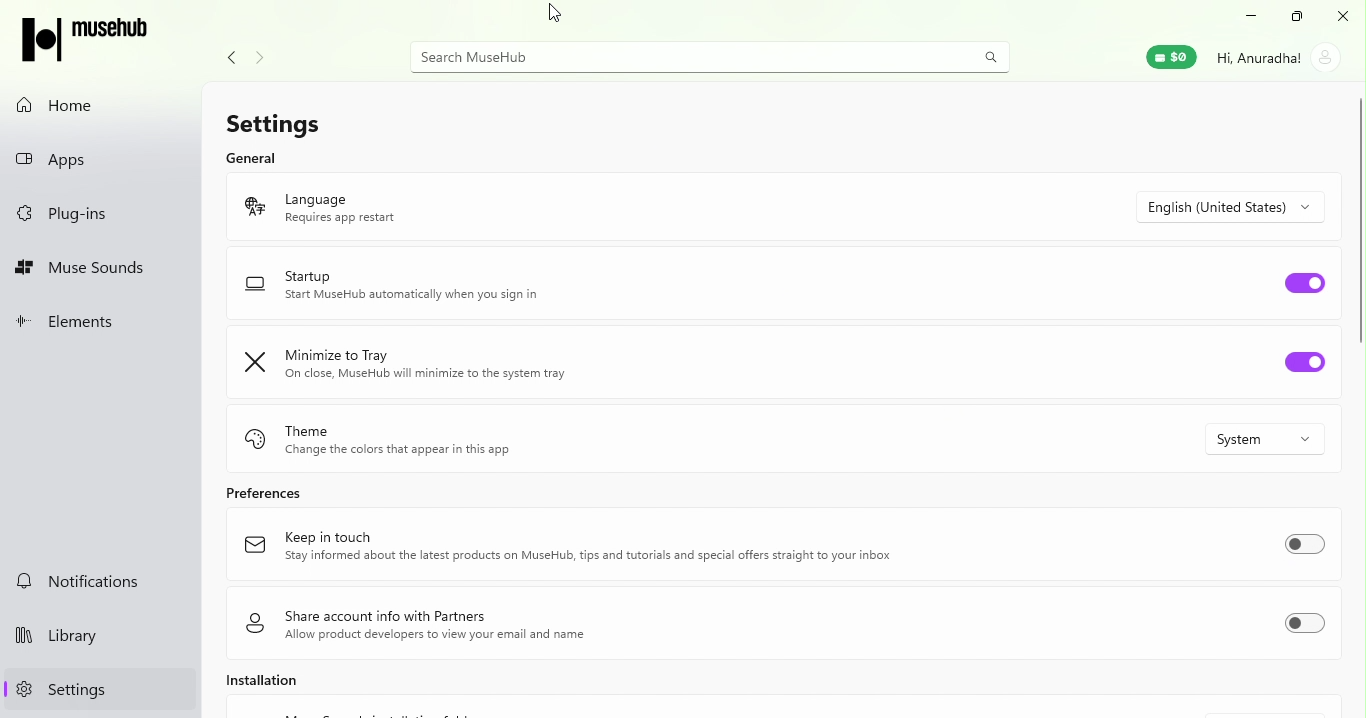 This screenshot has width=1366, height=718. I want to click on Installation, so click(266, 686).